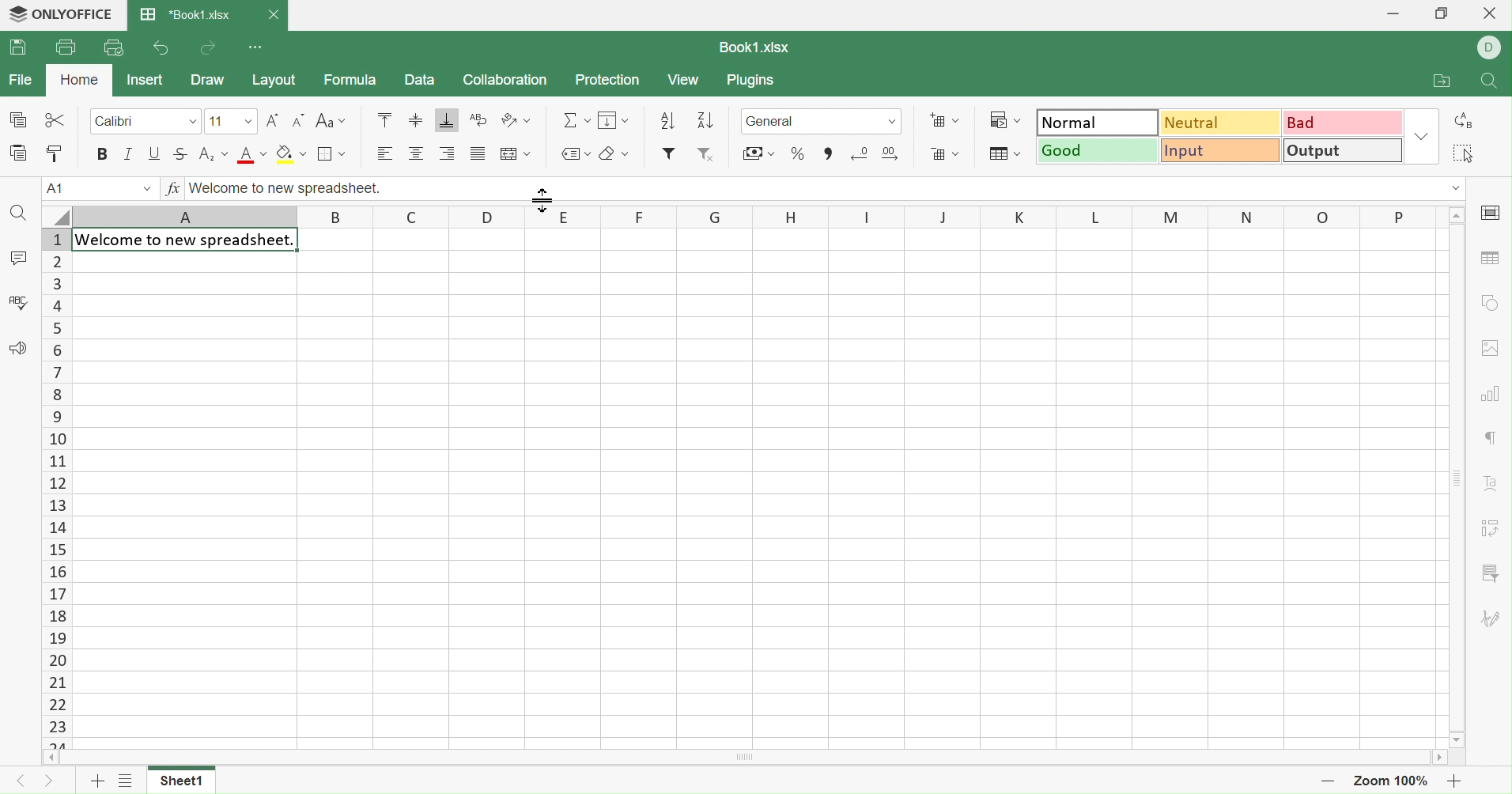 This screenshot has width=1512, height=794. Describe the element at coordinates (78, 79) in the screenshot. I see `Home` at that location.